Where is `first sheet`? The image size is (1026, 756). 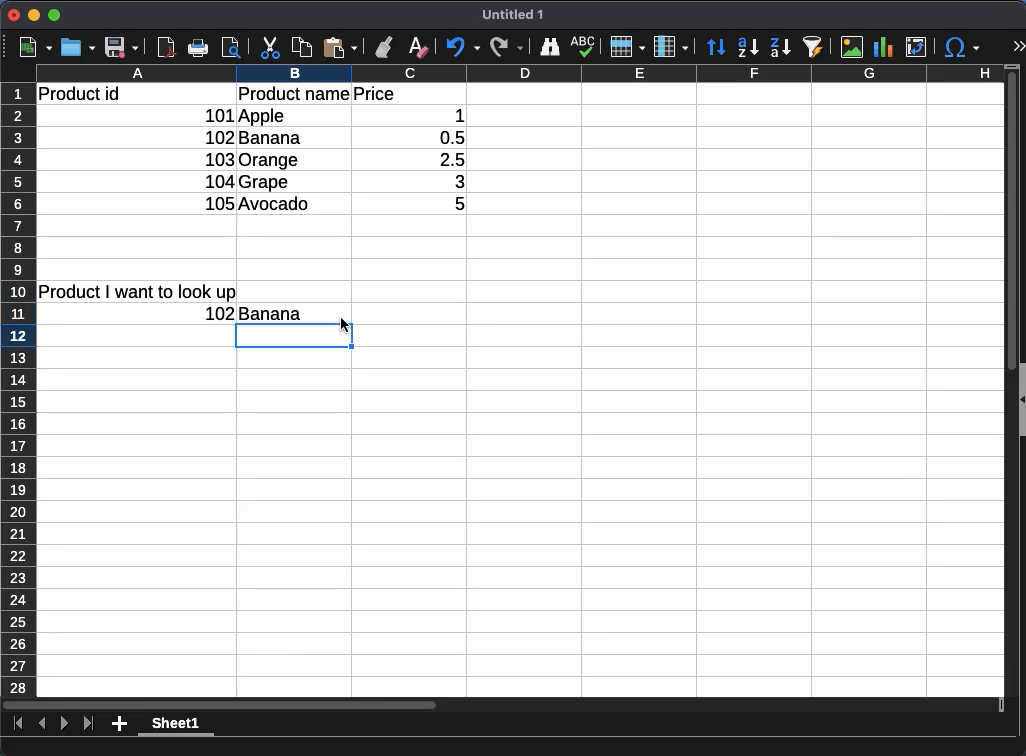
first sheet is located at coordinates (19, 724).